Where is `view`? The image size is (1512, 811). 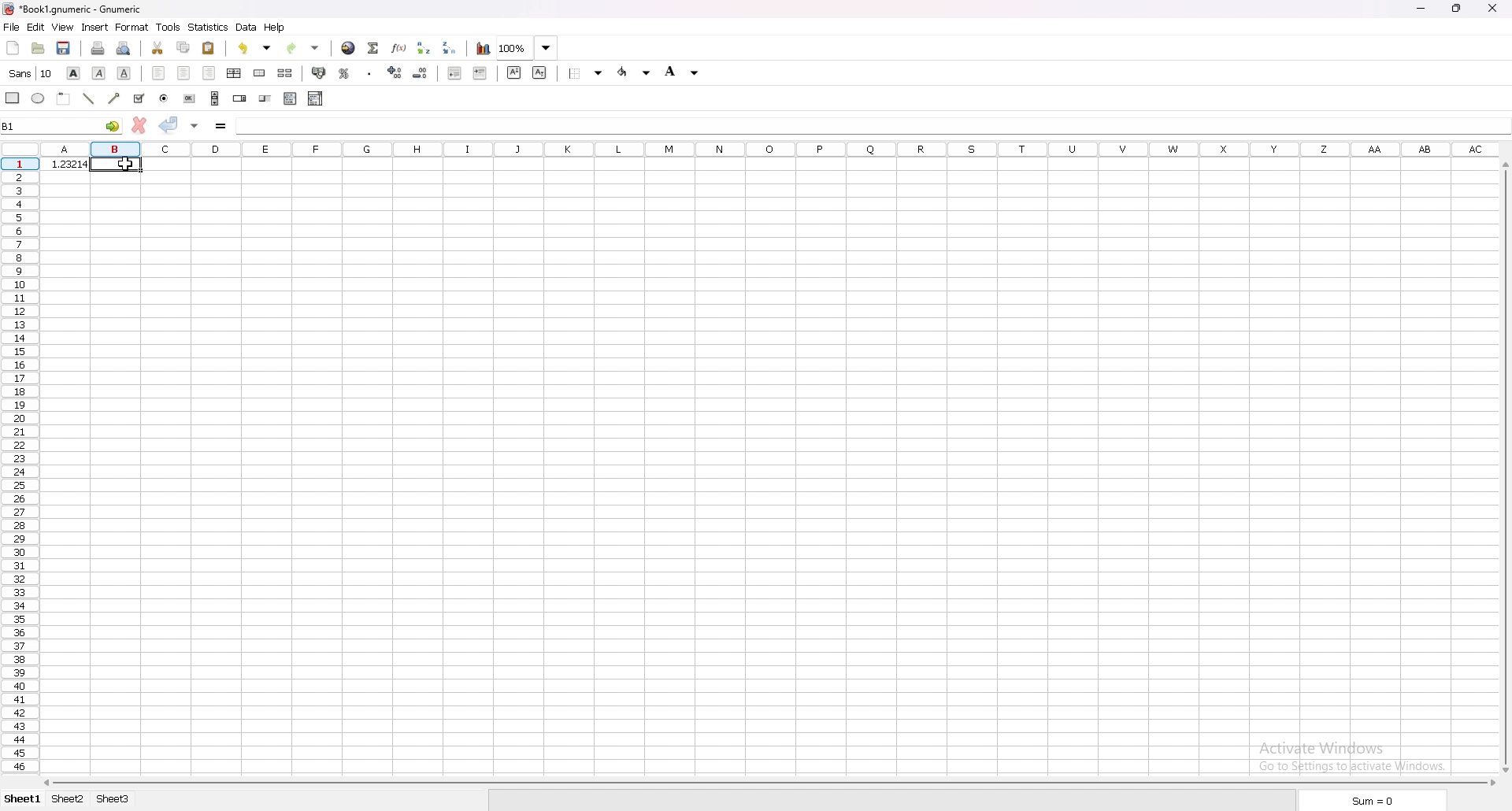 view is located at coordinates (62, 28).